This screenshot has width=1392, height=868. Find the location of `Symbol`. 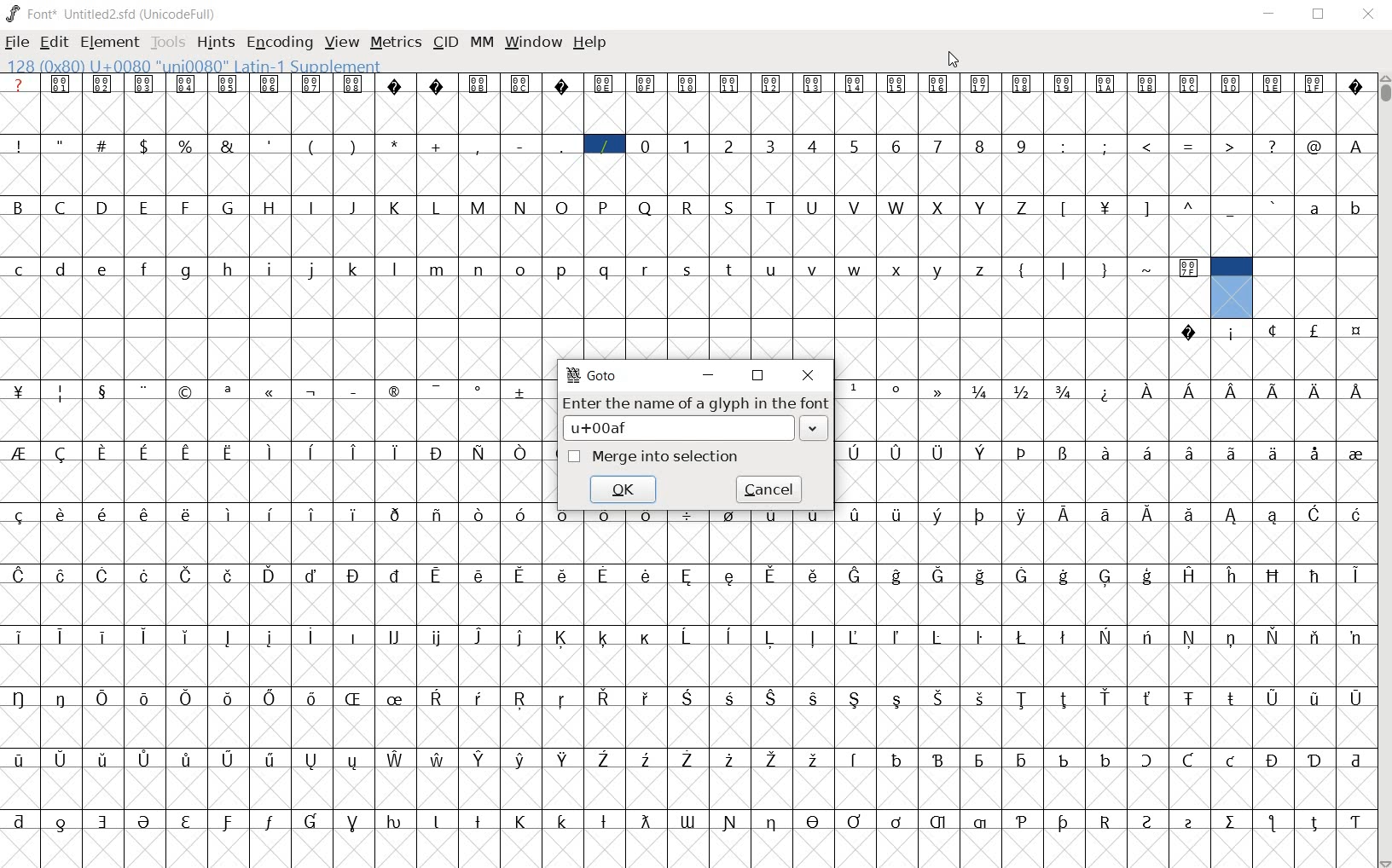

Symbol is located at coordinates (941, 391).